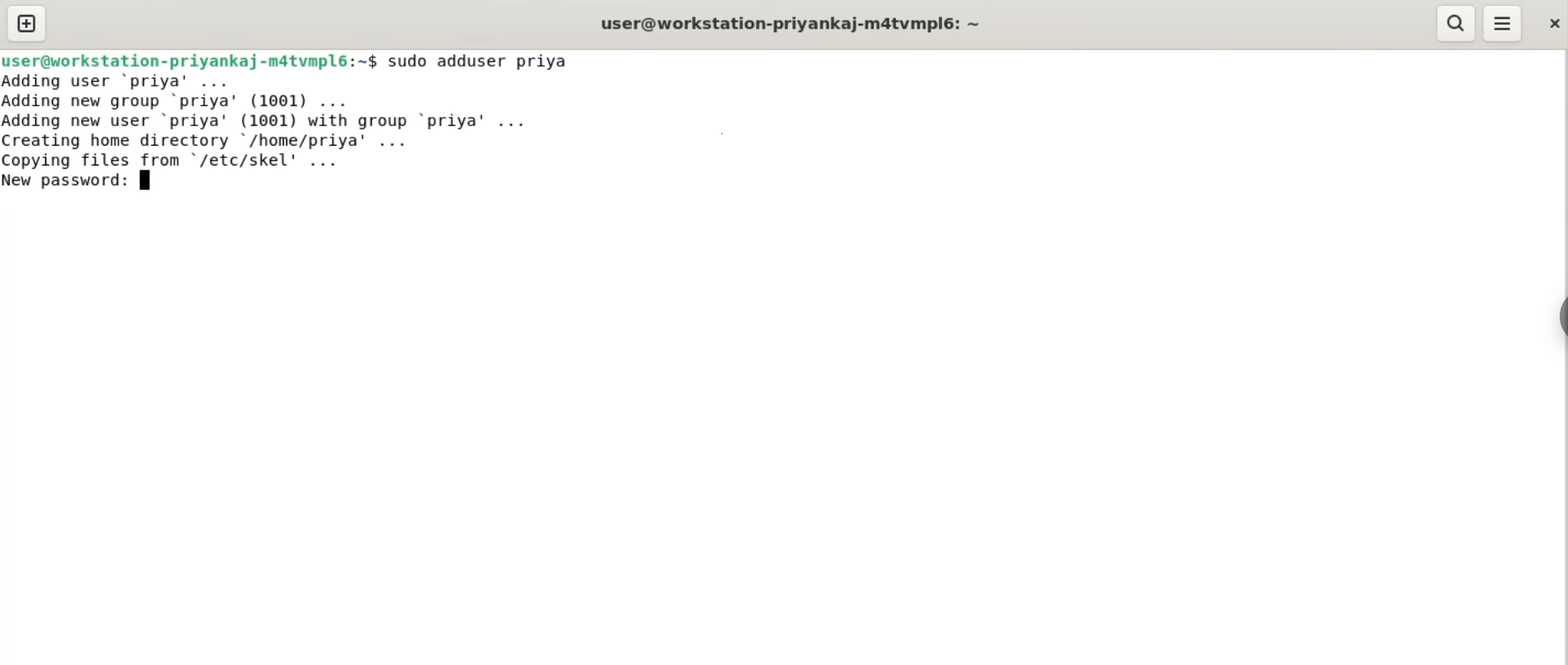 The height and width of the screenshot is (665, 1568). What do you see at coordinates (489, 61) in the screenshot?
I see `sudo adduser priya` at bounding box center [489, 61].